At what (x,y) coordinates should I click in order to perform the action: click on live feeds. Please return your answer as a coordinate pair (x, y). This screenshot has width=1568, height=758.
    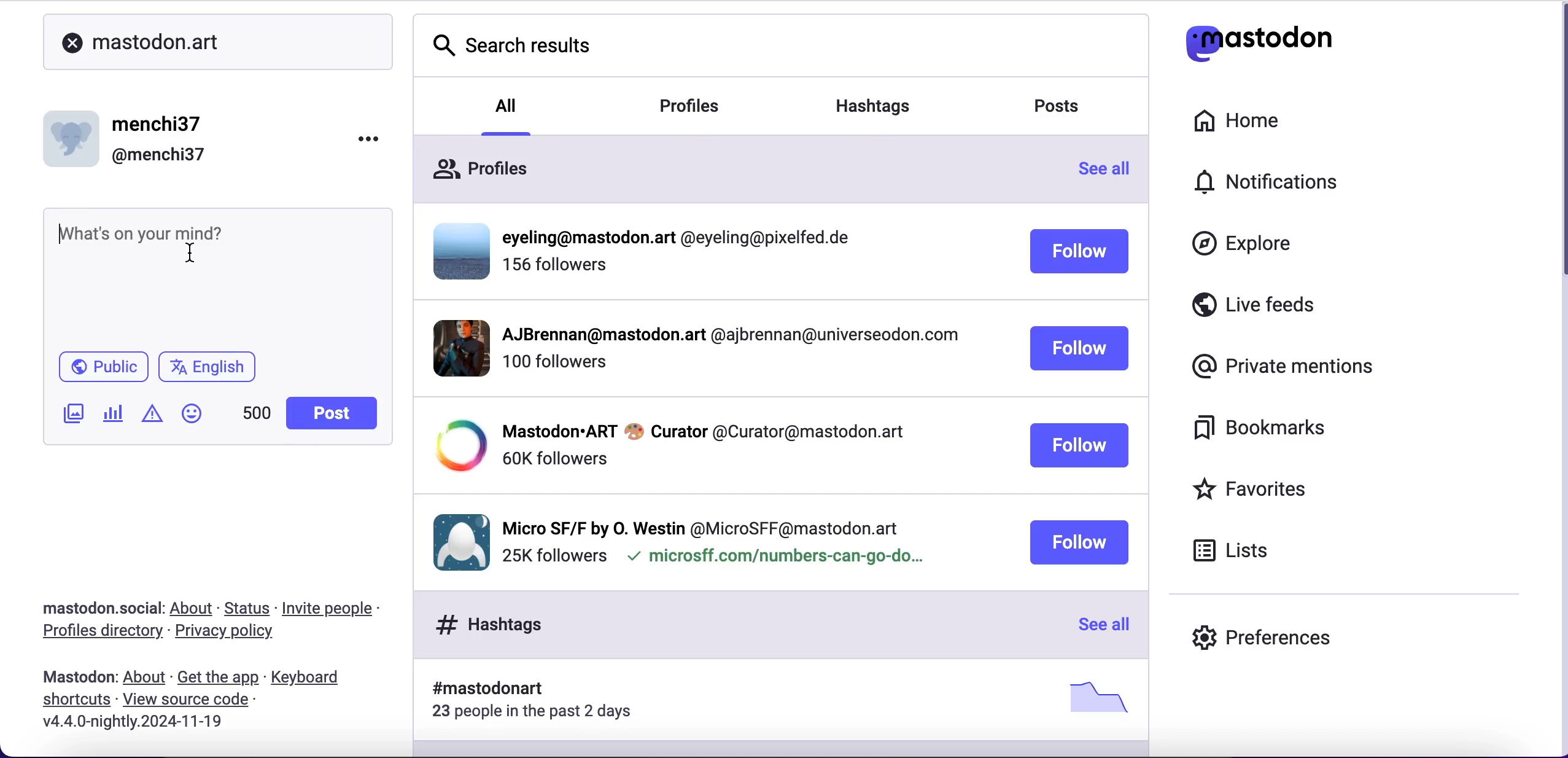
    Looking at the image, I should click on (1254, 310).